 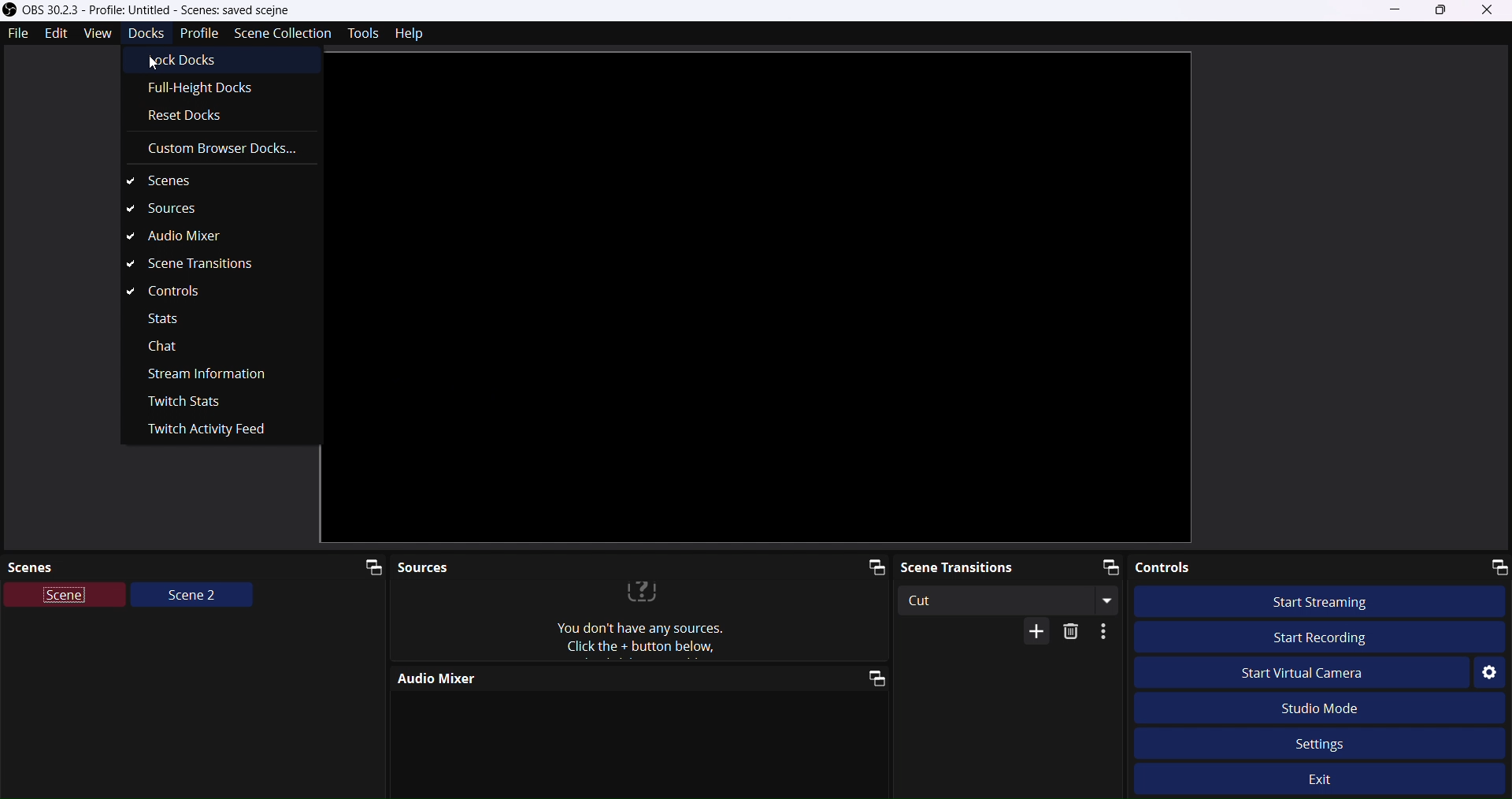 What do you see at coordinates (587, 563) in the screenshot?
I see `Sources` at bounding box center [587, 563].